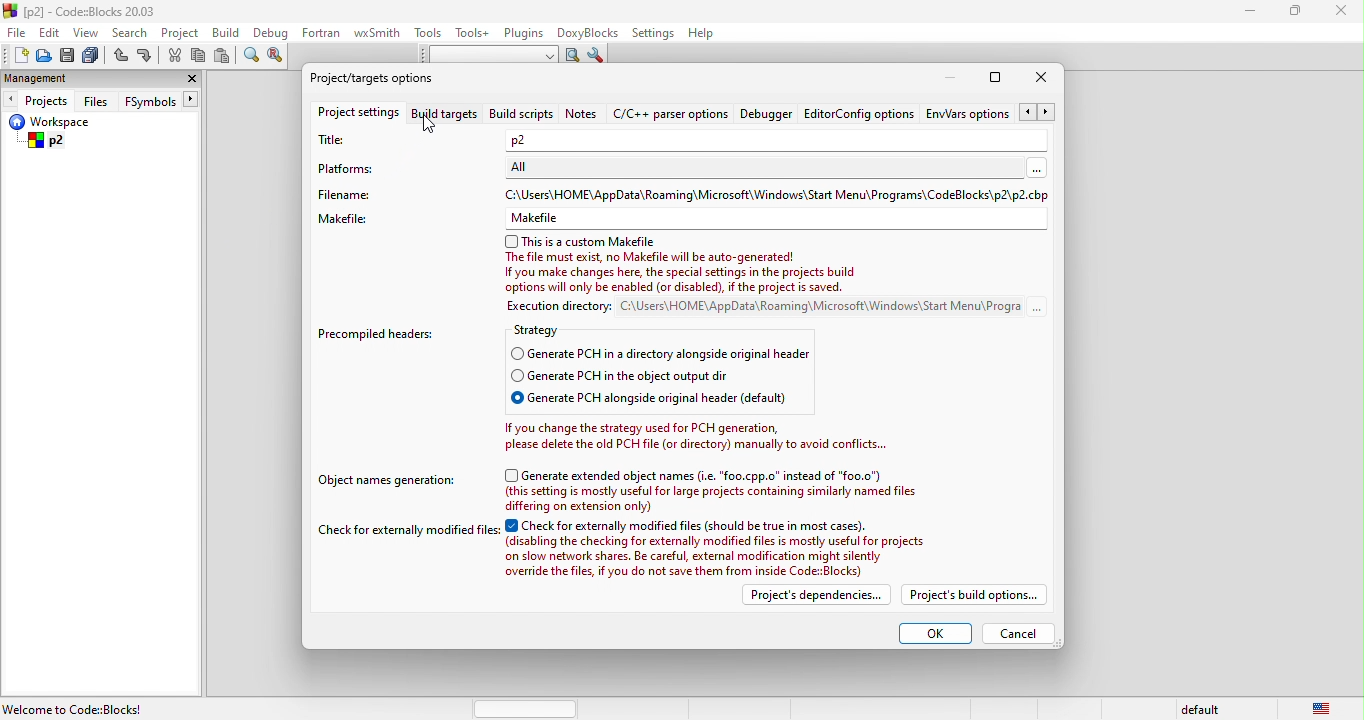  Describe the element at coordinates (52, 31) in the screenshot. I see `edit` at that location.